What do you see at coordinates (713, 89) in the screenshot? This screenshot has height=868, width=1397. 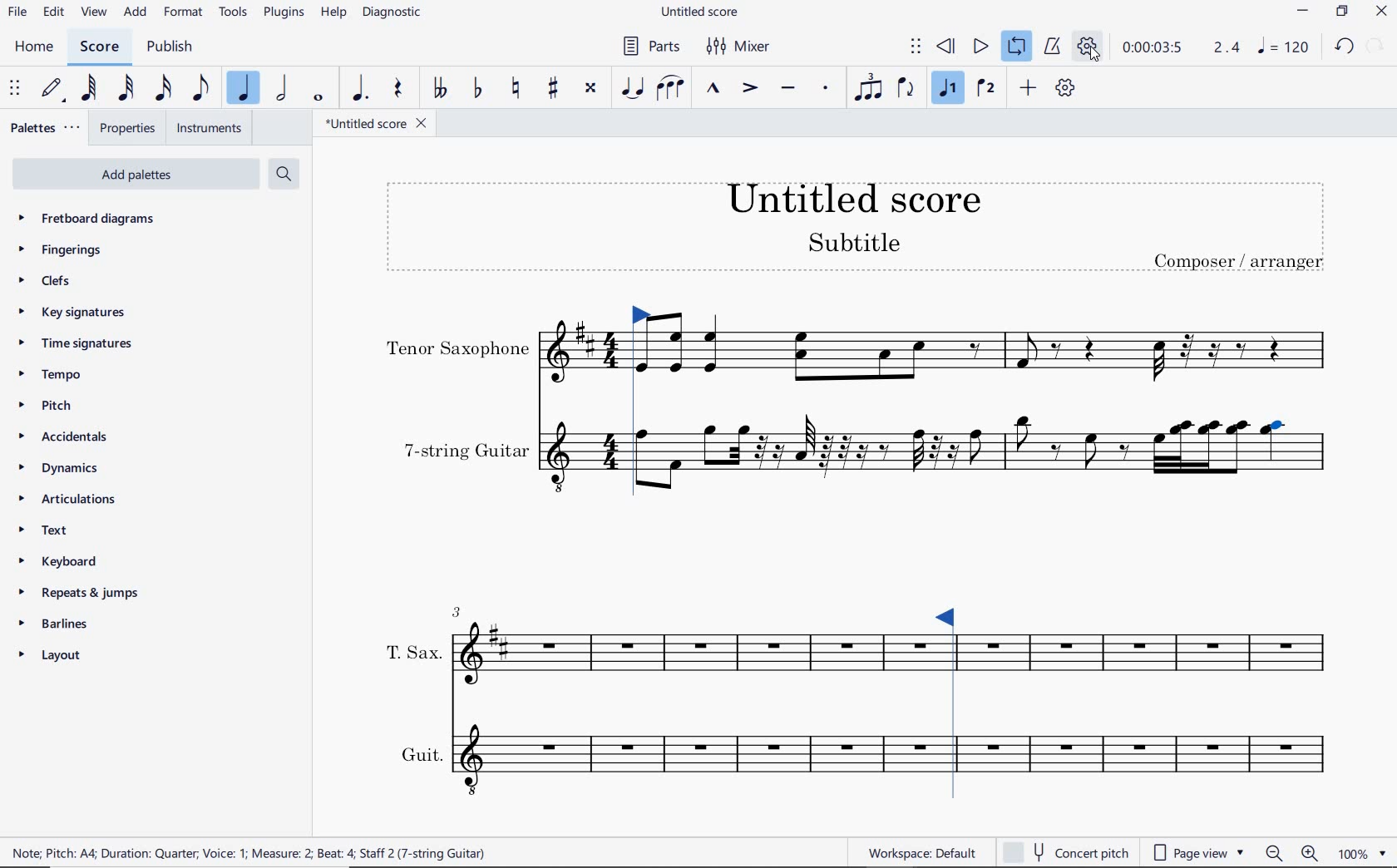 I see `MARCATO` at bounding box center [713, 89].